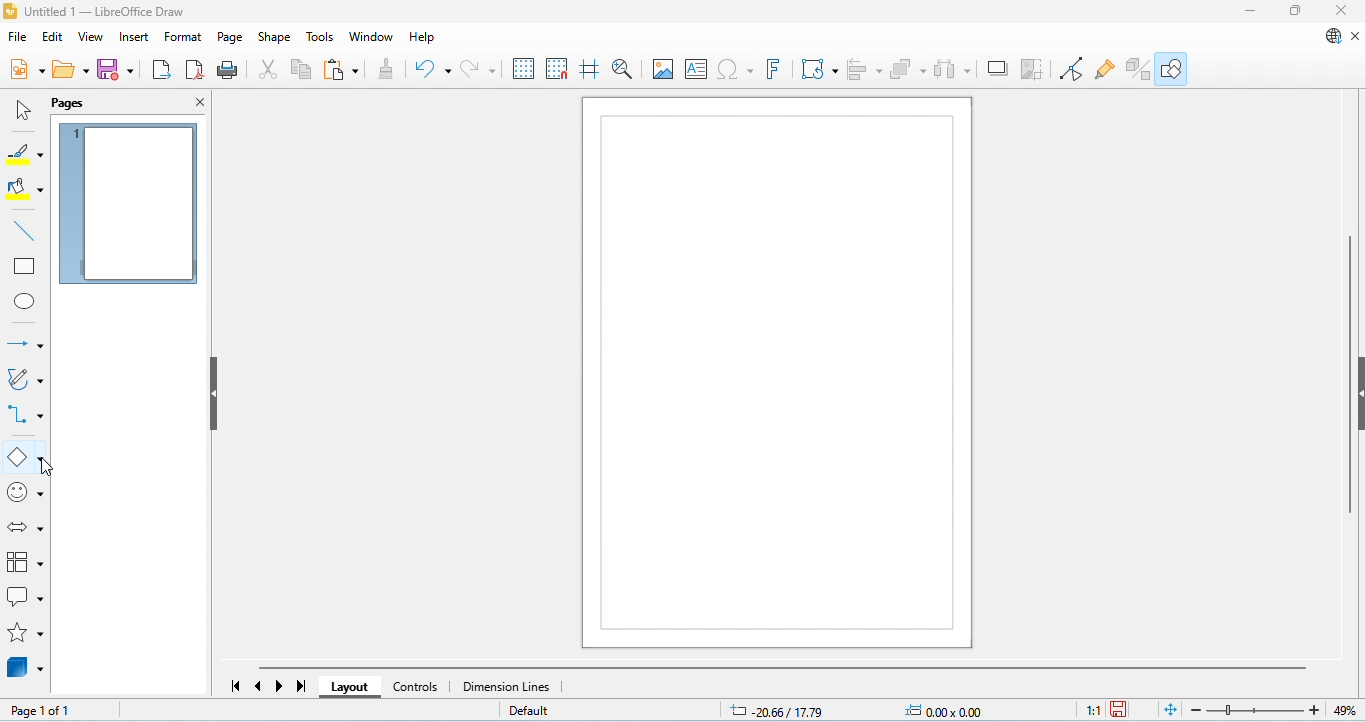  What do you see at coordinates (301, 69) in the screenshot?
I see `copy` at bounding box center [301, 69].